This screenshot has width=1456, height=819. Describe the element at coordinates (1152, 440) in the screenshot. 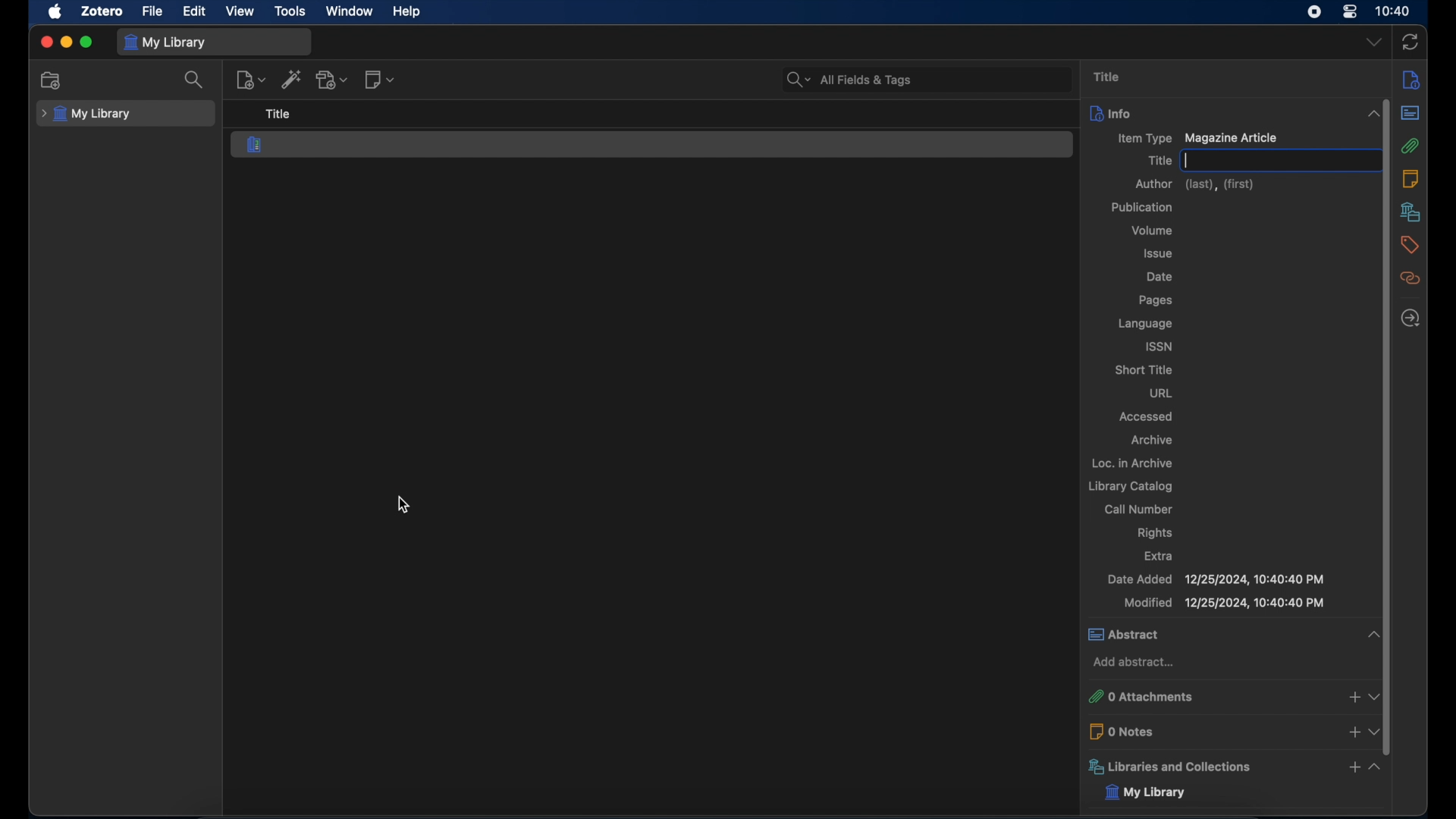

I see `archive` at that location.